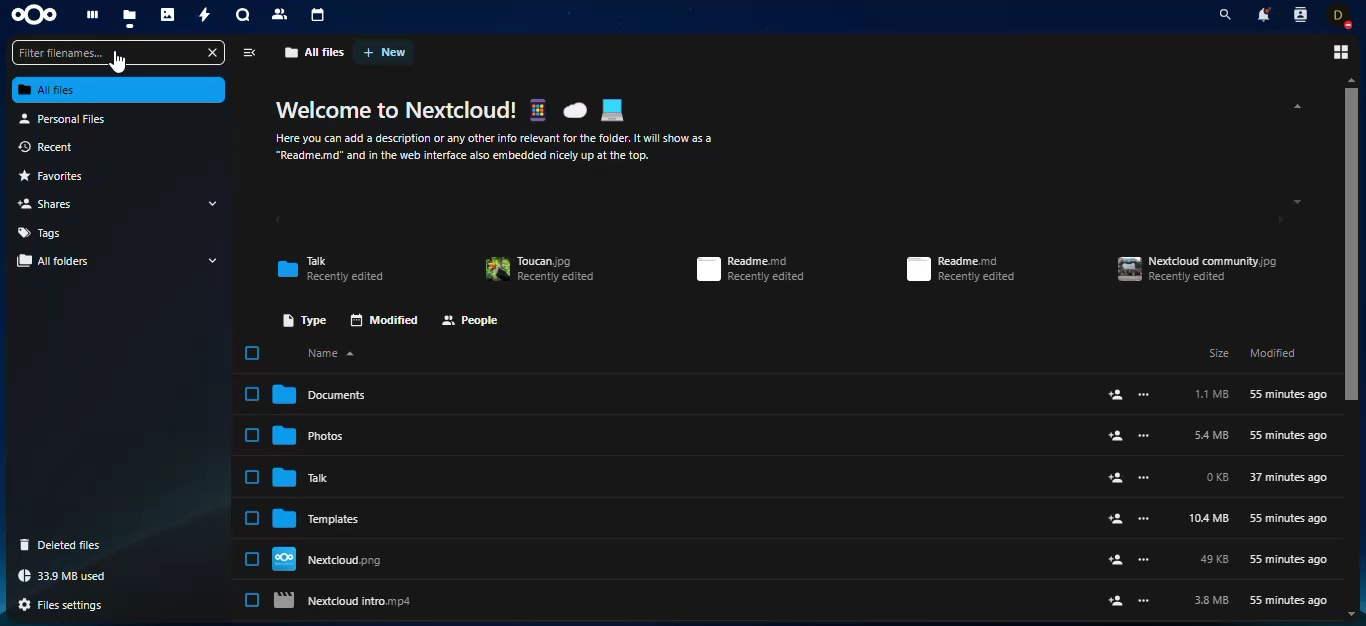  What do you see at coordinates (1352, 79) in the screenshot?
I see `scroll up` at bounding box center [1352, 79].